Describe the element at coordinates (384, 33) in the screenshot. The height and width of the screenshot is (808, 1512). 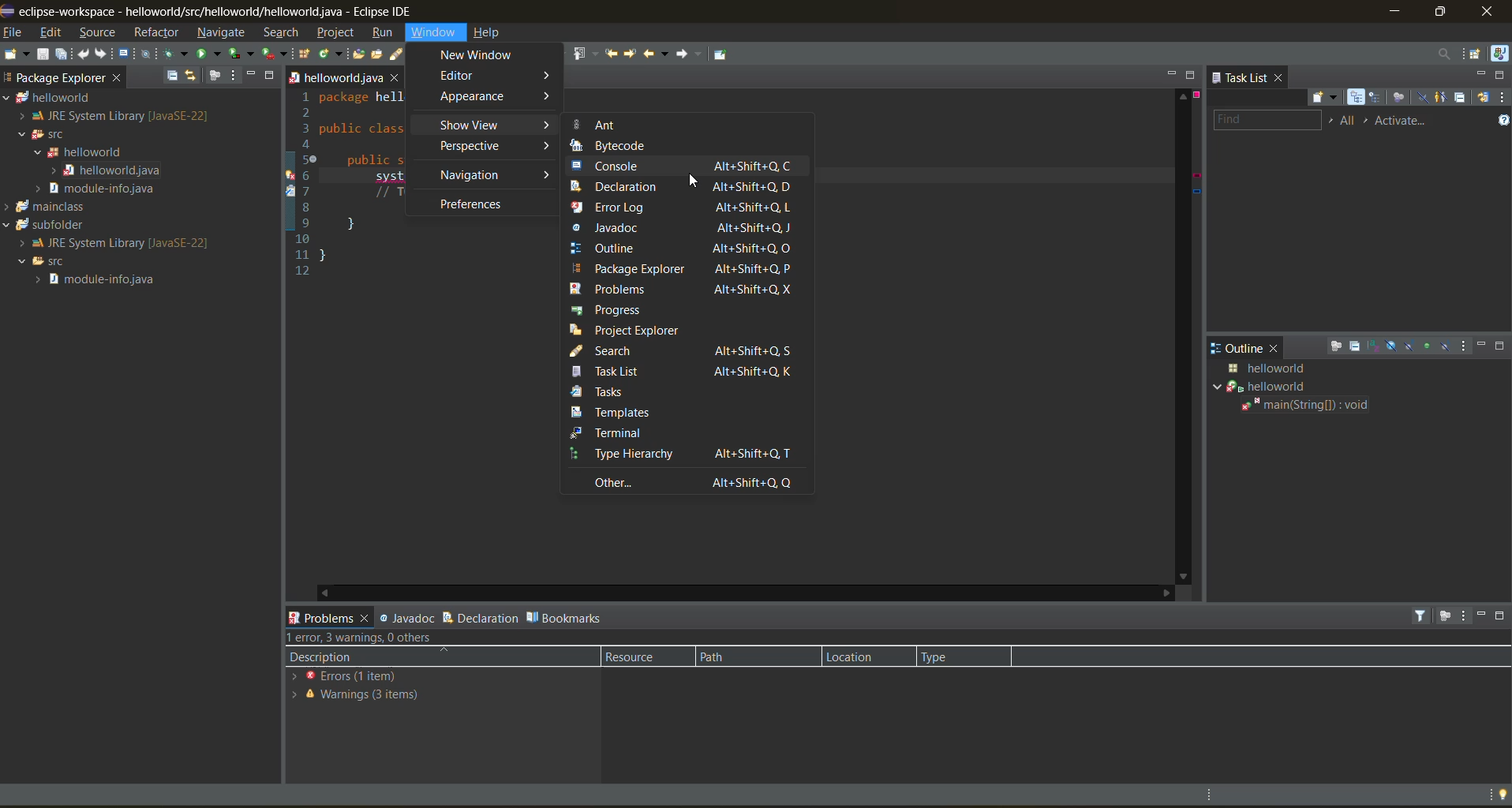
I see `run` at that location.